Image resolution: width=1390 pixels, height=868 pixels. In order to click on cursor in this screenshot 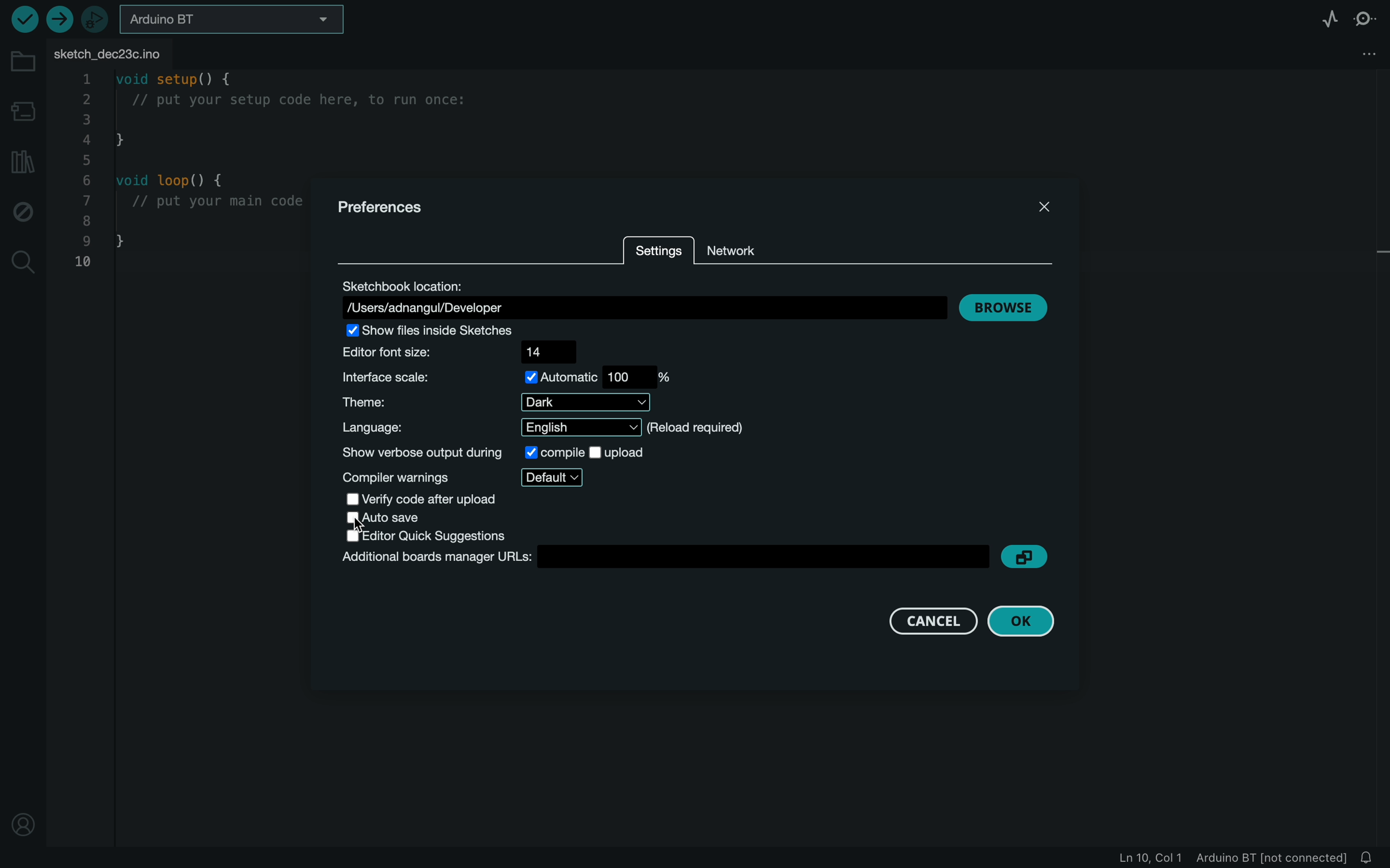, I will do `click(364, 525)`.